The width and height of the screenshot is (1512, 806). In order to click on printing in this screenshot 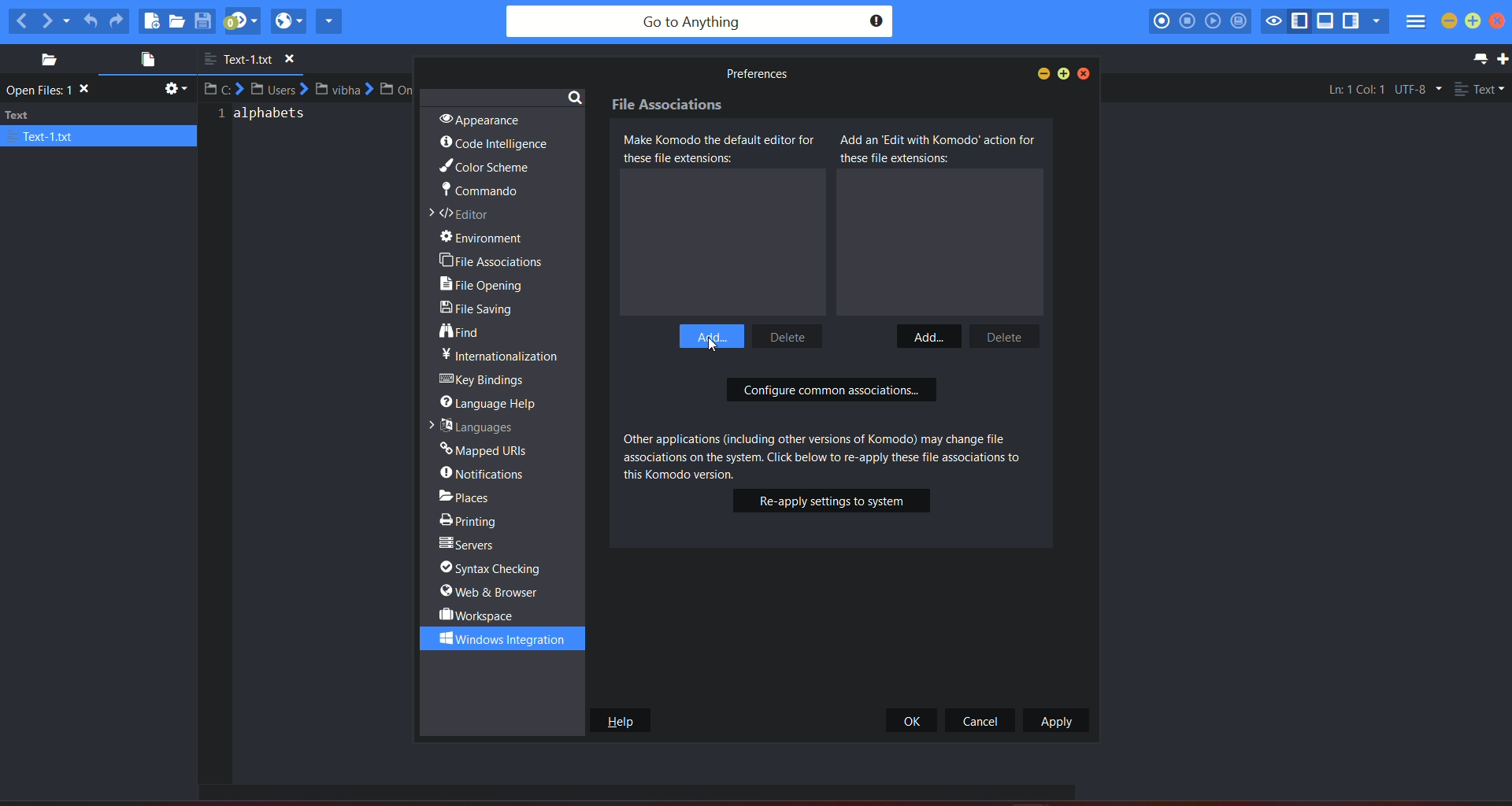, I will do `click(472, 519)`.